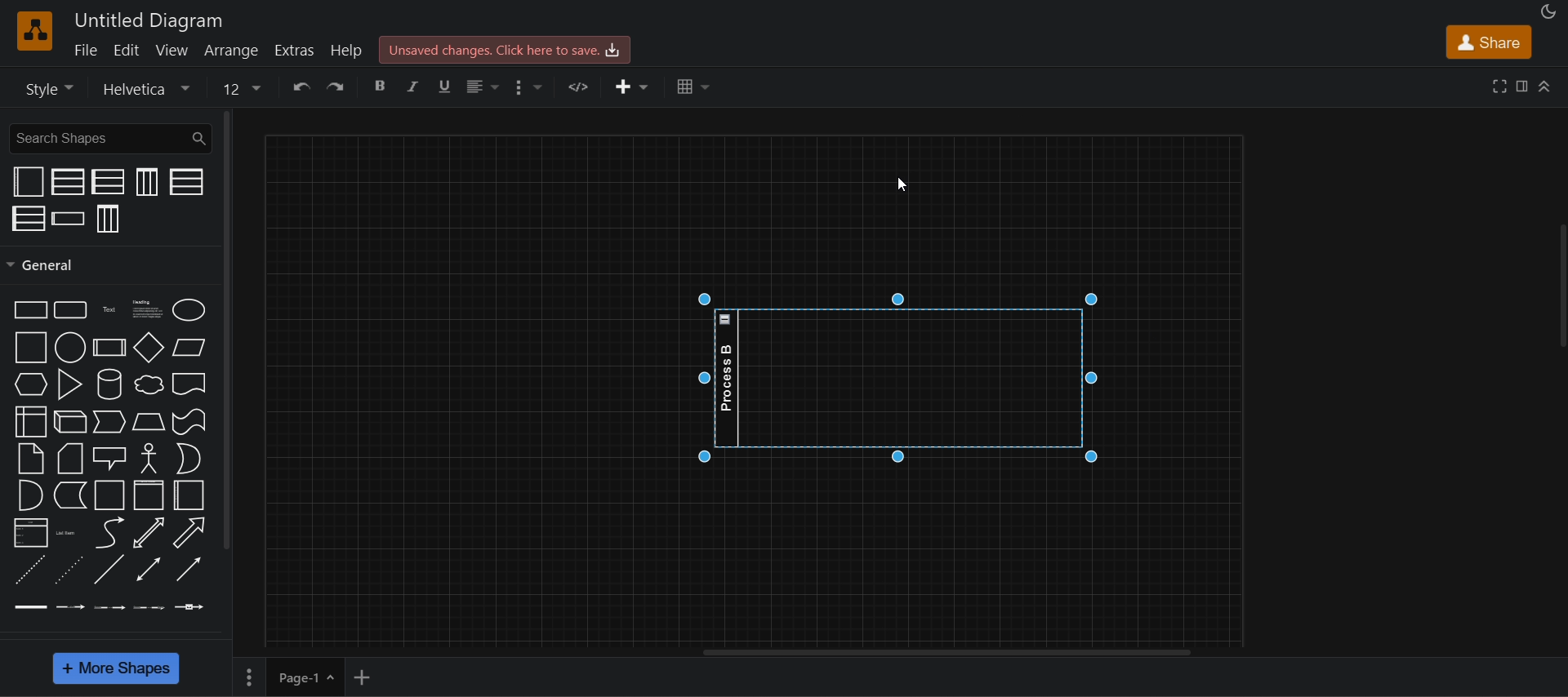 The width and height of the screenshot is (1568, 697). I want to click on connector with symbol, so click(189, 606).